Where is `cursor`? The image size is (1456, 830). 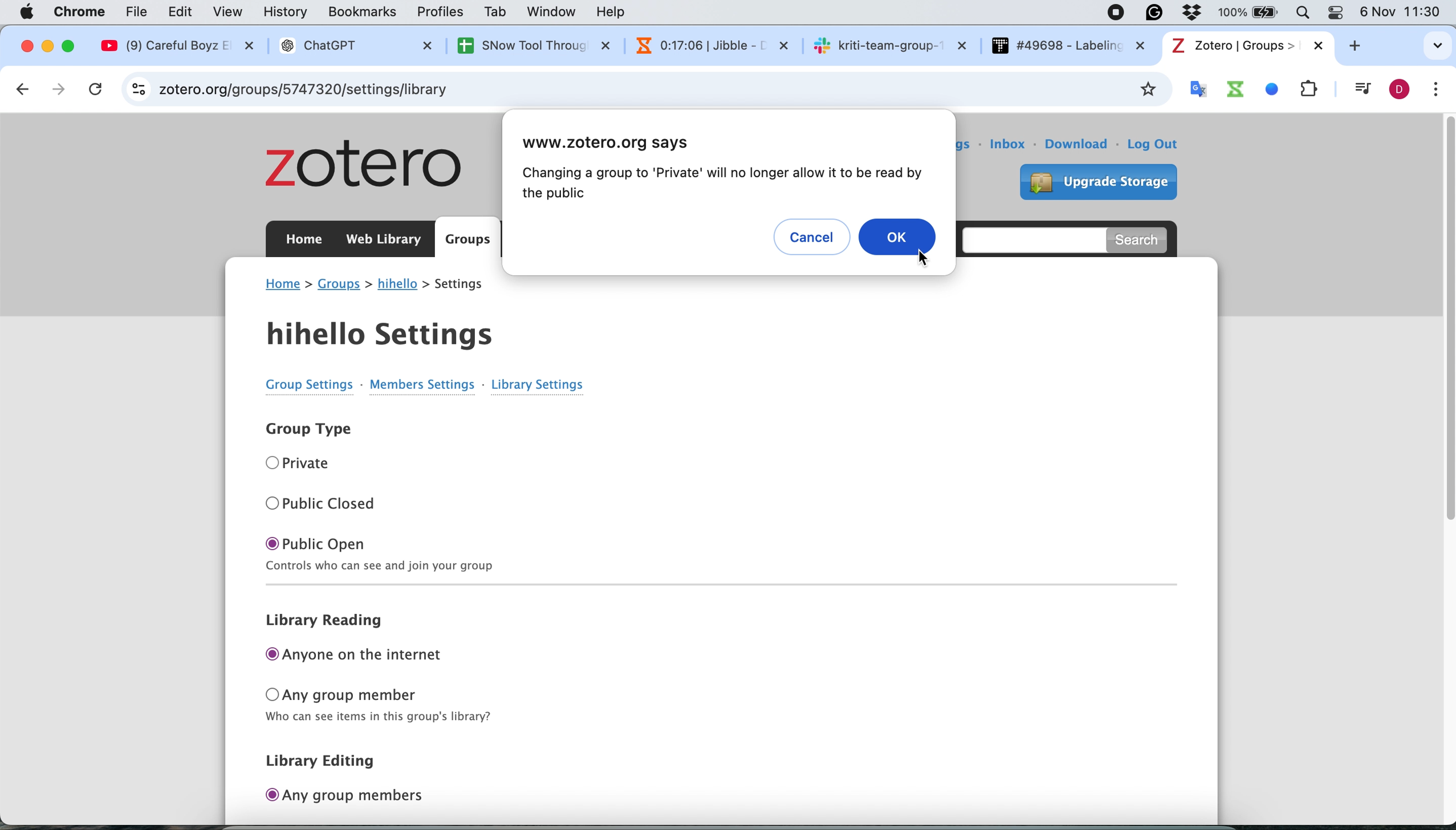 cursor is located at coordinates (923, 258).